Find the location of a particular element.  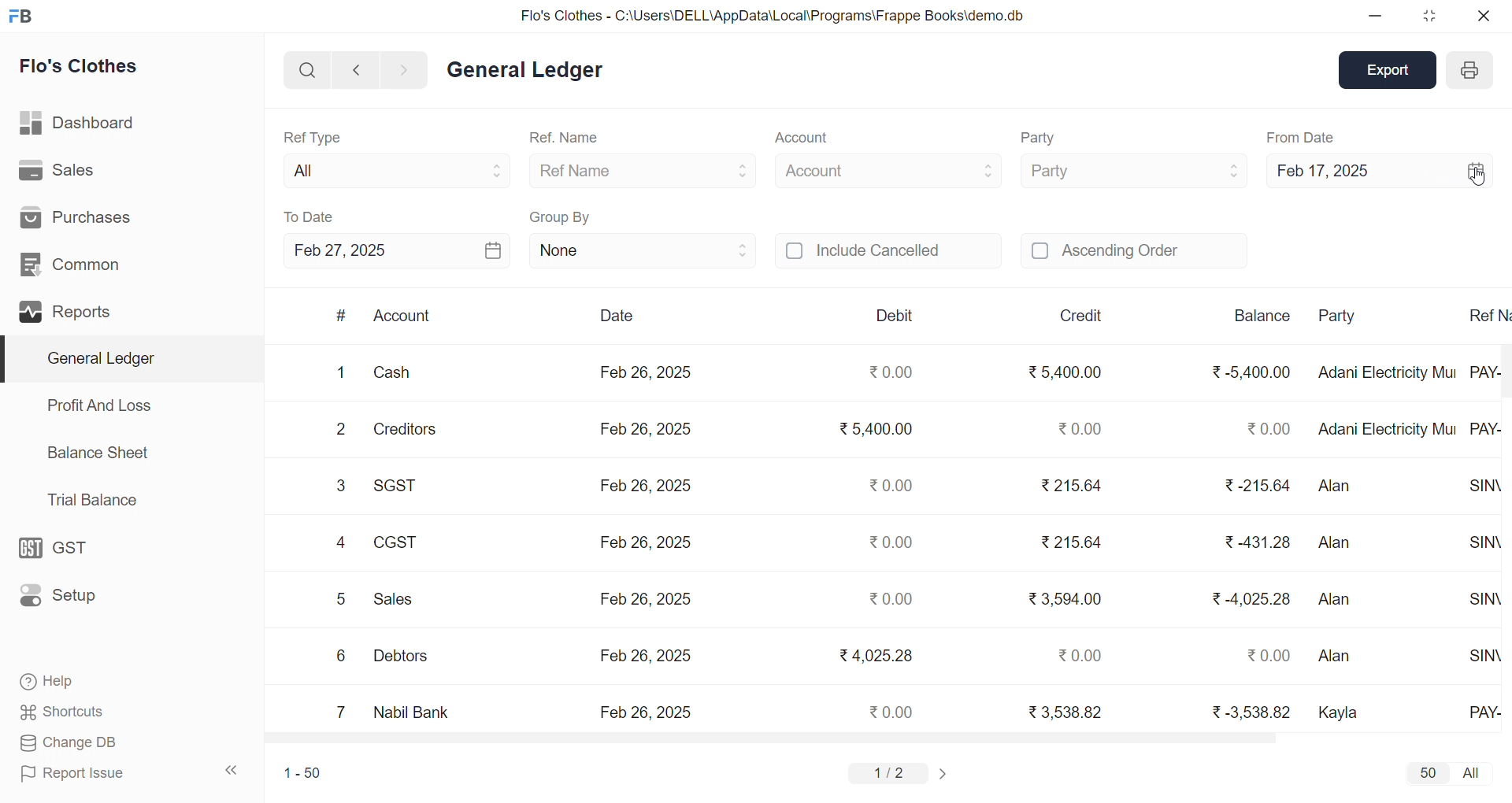

Alan is located at coordinates (1336, 484).